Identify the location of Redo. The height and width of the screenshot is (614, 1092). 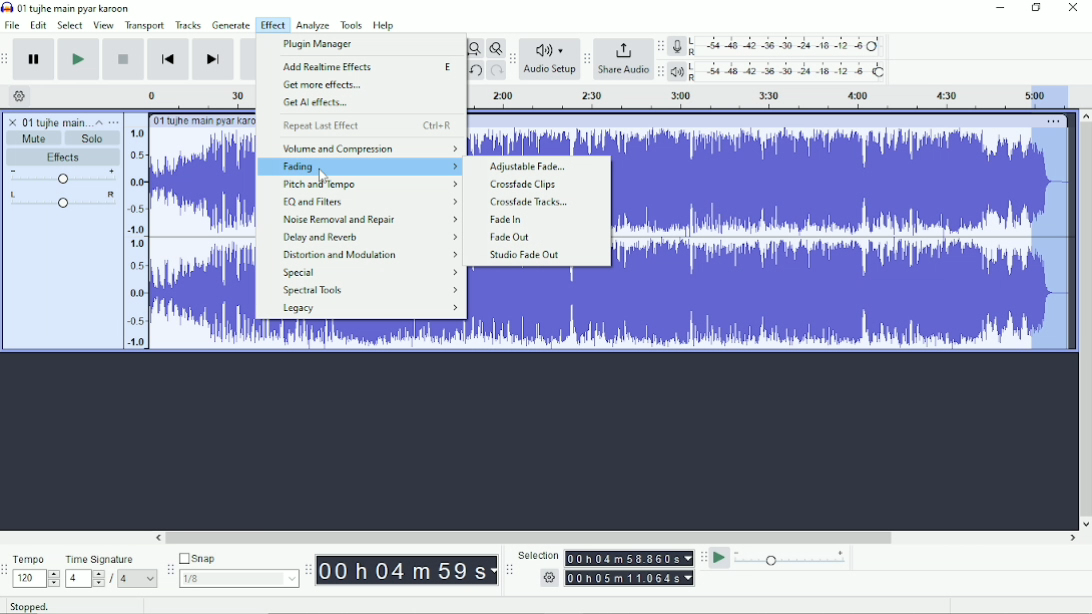
(496, 69).